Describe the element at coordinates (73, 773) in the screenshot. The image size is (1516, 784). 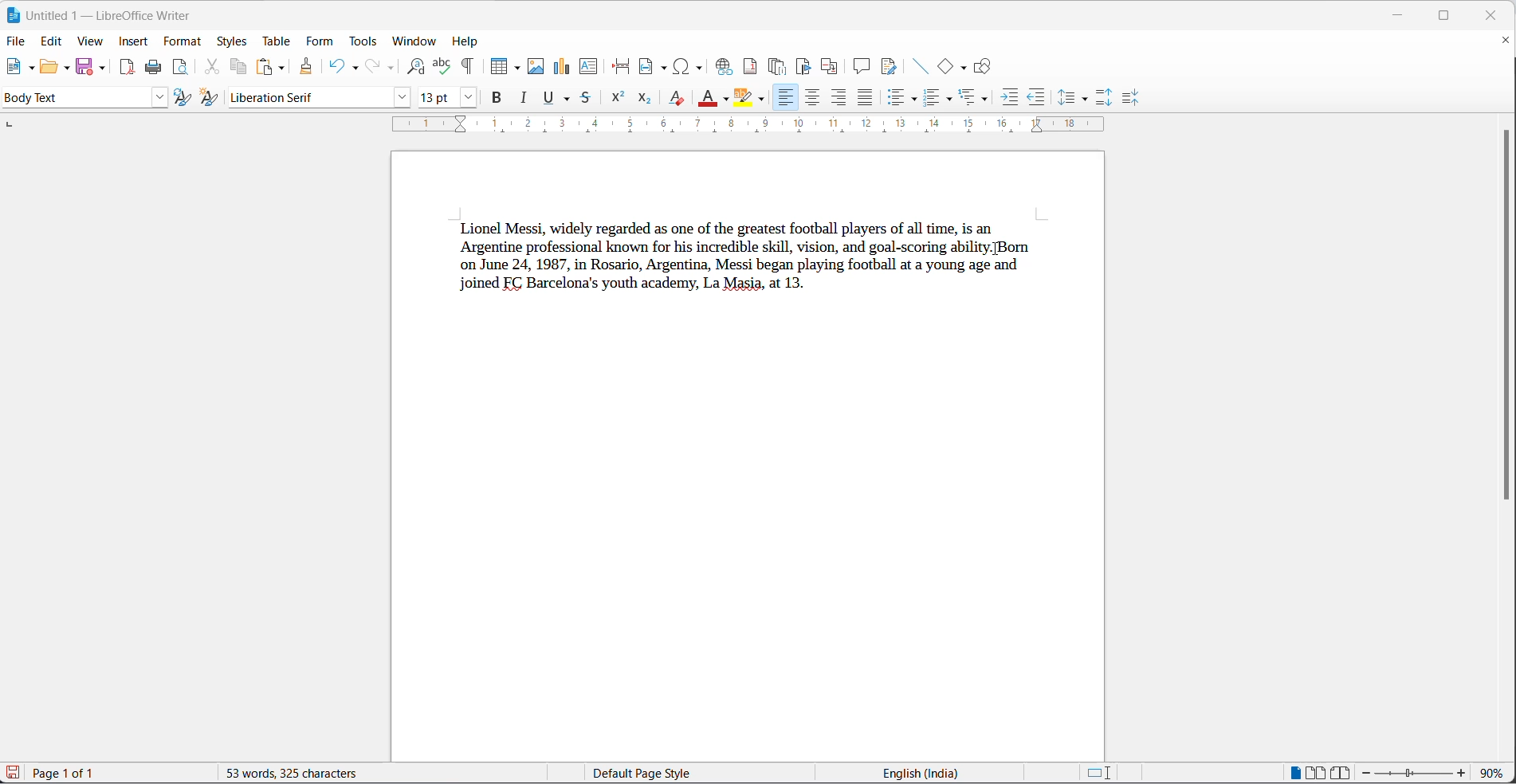
I see `current page` at that location.